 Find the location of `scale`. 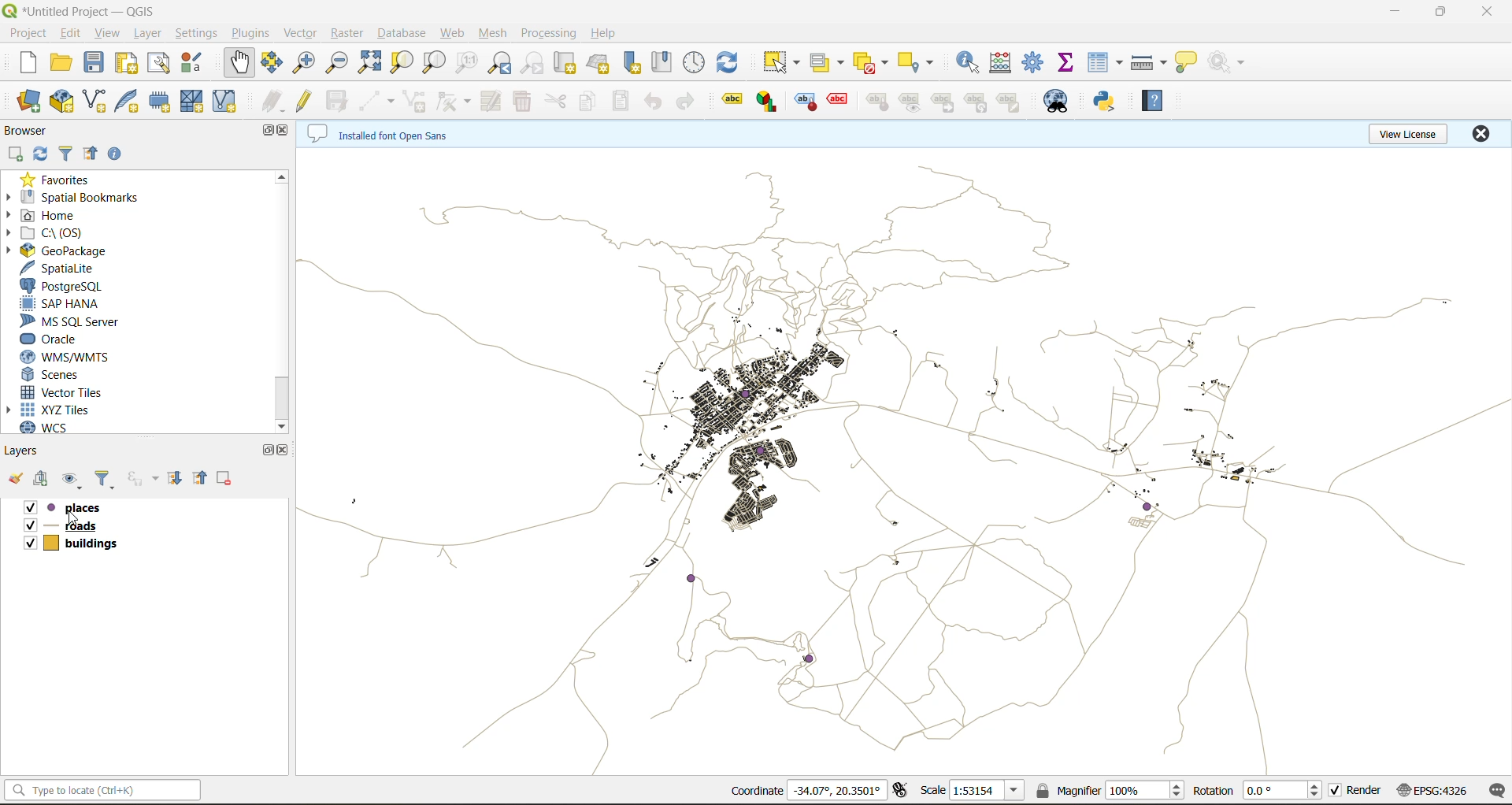

scale is located at coordinates (977, 791).